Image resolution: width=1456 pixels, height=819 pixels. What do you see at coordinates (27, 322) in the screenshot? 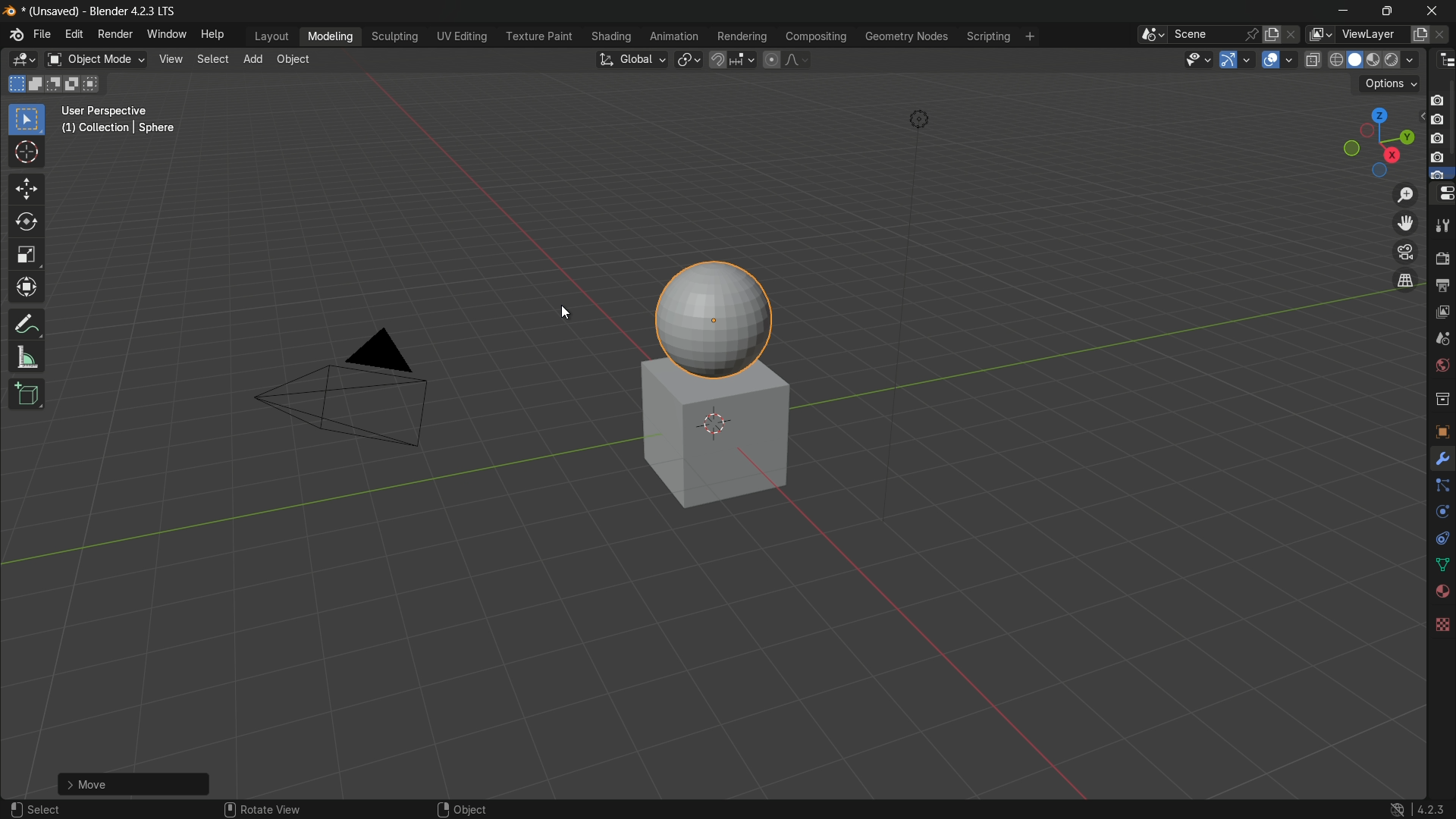
I see `annotate` at bounding box center [27, 322].